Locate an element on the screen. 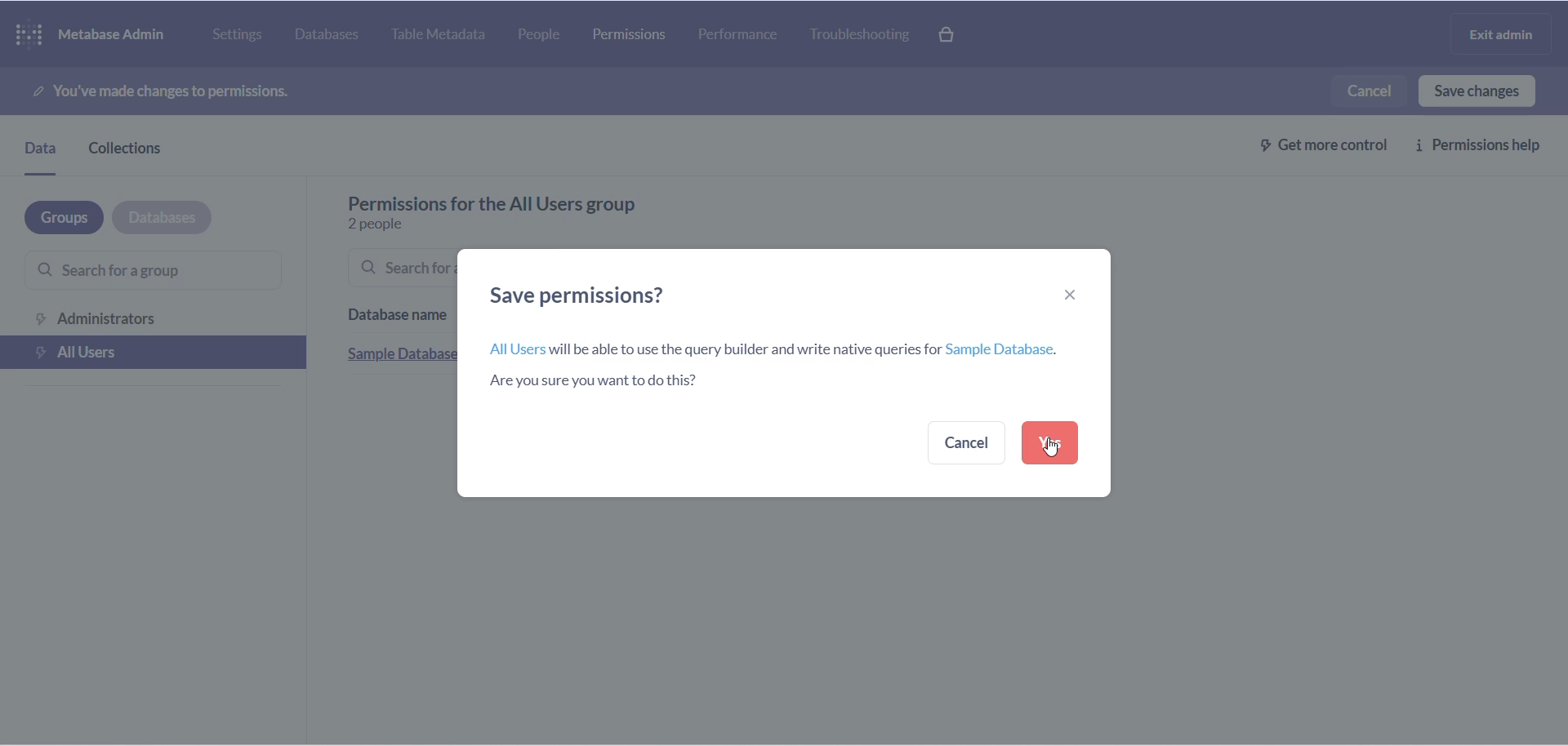 The height and width of the screenshot is (746, 1568). people is located at coordinates (550, 36).